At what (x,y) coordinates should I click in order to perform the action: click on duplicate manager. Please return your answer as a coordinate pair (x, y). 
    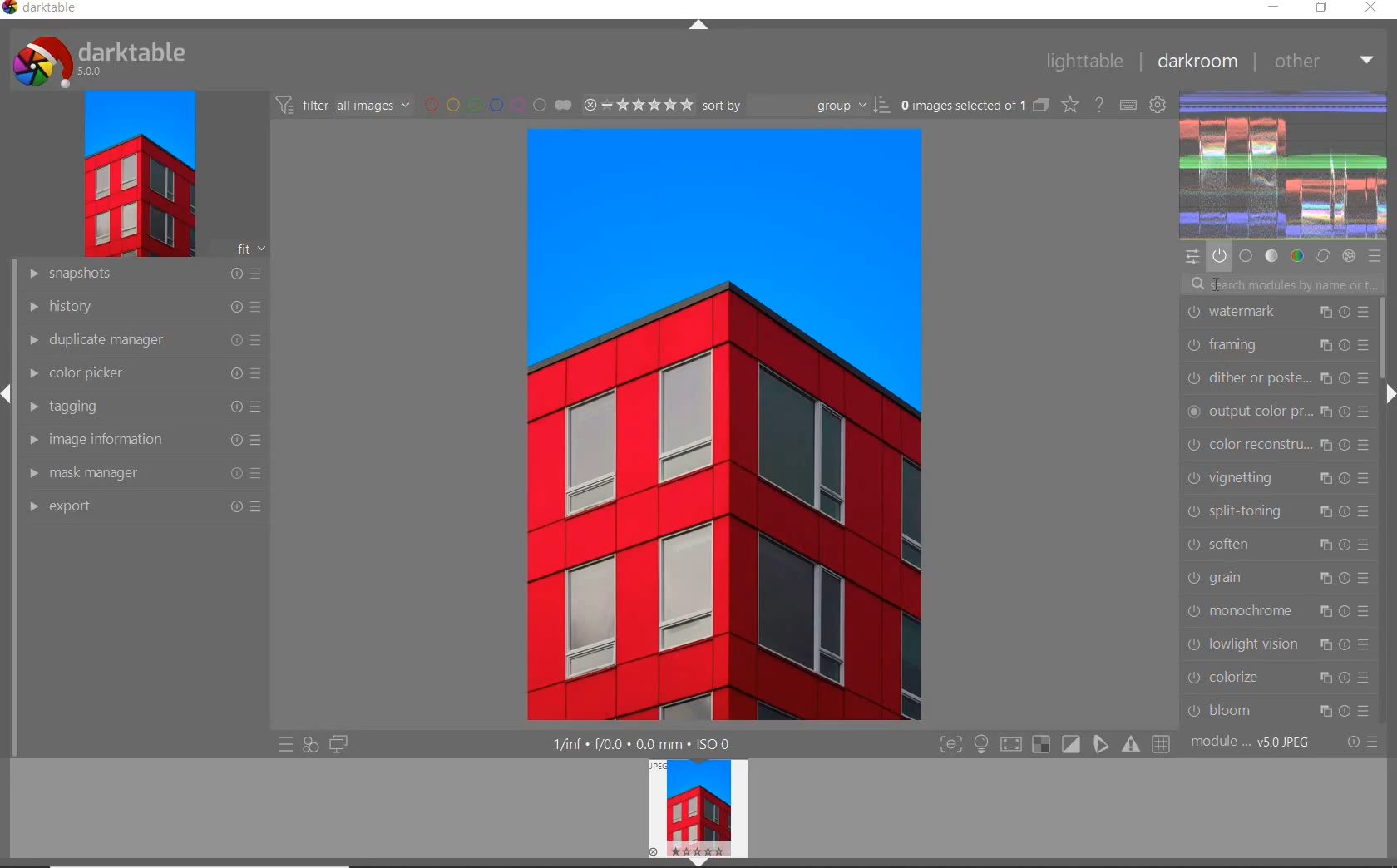
    Looking at the image, I should click on (140, 342).